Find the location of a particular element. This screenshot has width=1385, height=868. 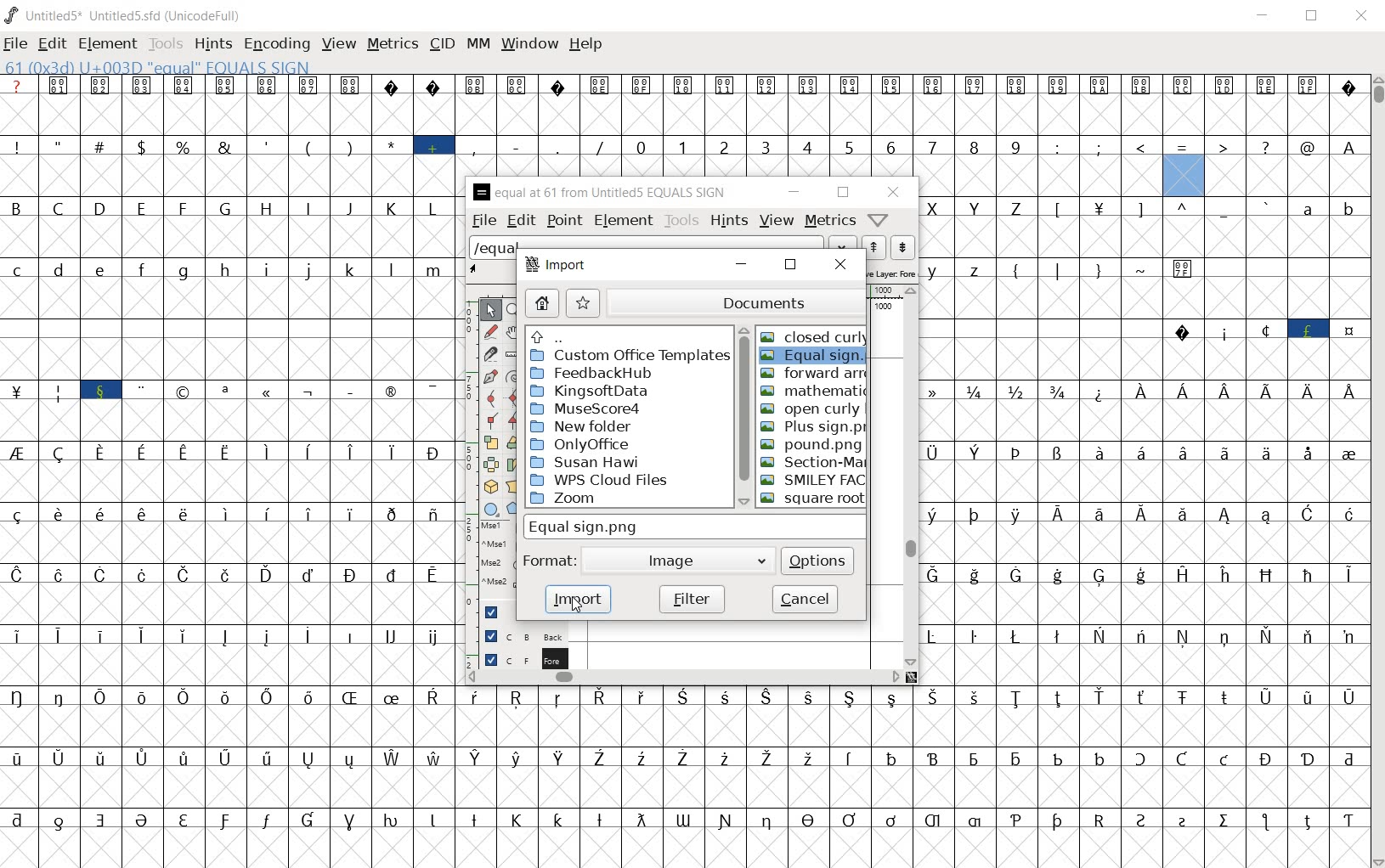

EQUAL AT 61 FROM UNTITLED5 EQUAL SIGN is located at coordinates (601, 192).